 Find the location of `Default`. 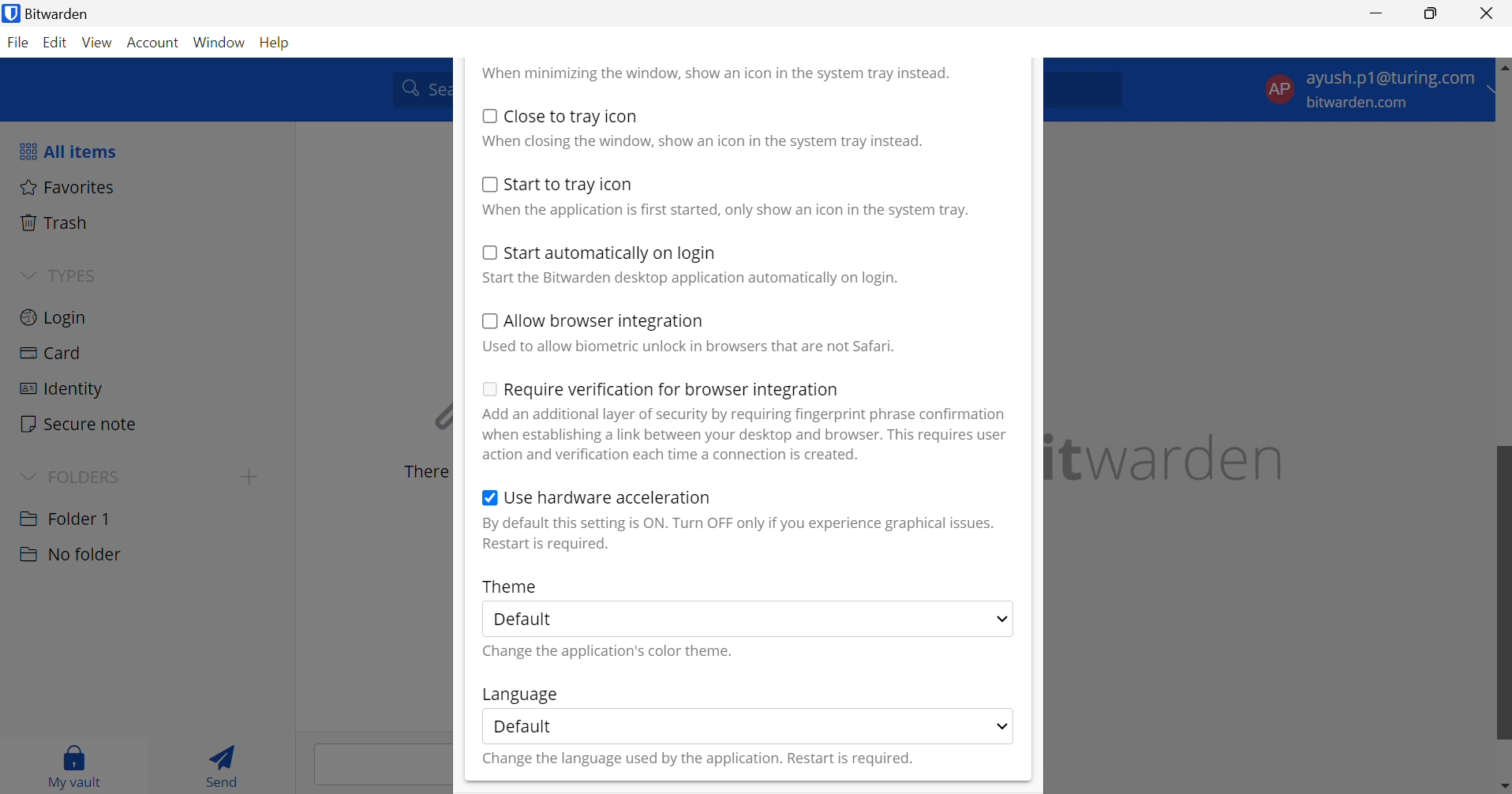

Default is located at coordinates (530, 620).